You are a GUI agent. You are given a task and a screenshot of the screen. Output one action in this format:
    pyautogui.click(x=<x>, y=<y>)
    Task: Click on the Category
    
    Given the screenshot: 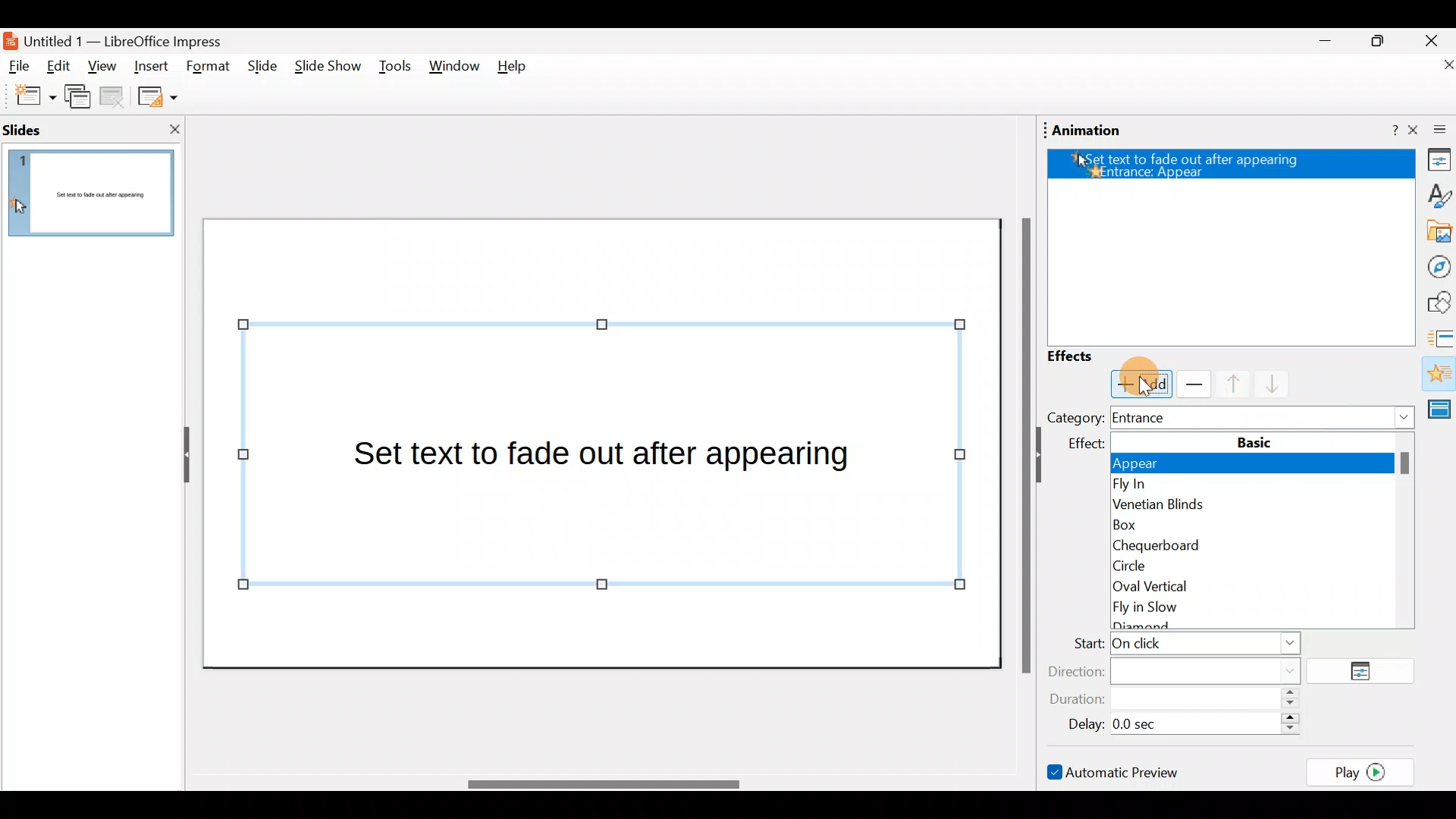 What is the action you would take?
    pyautogui.click(x=1075, y=417)
    